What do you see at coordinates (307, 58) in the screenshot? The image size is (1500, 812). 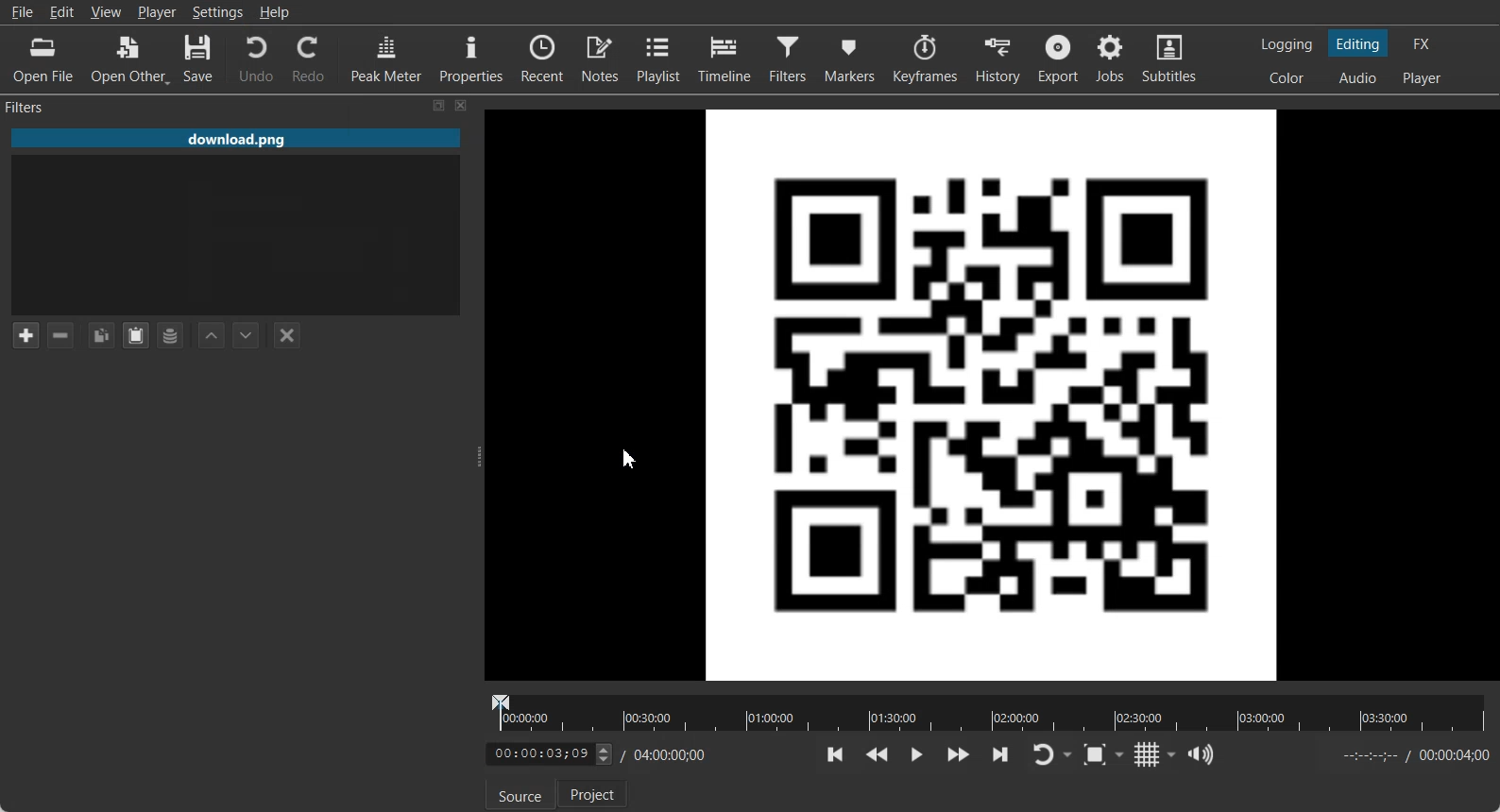 I see `Redo` at bounding box center [307, 58].